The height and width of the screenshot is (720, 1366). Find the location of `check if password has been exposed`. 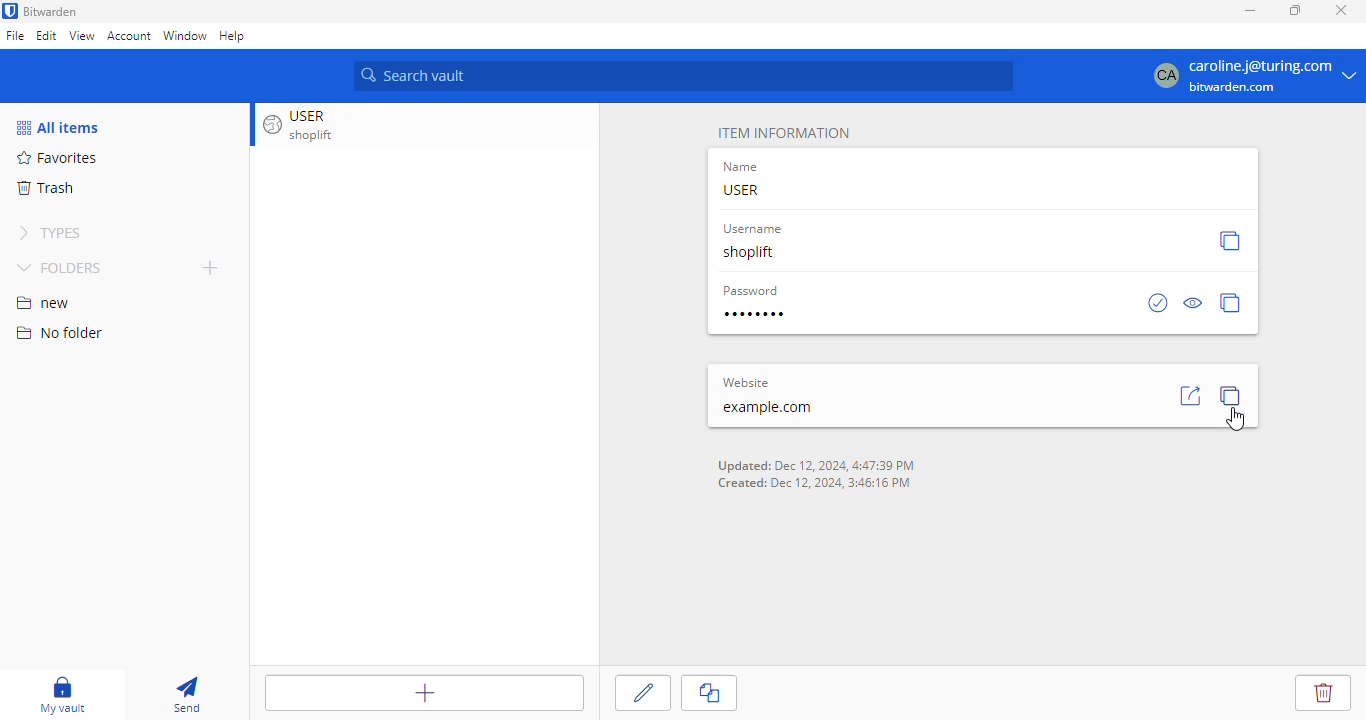

check if password has been exposed is located at coordinates (1159, 303).